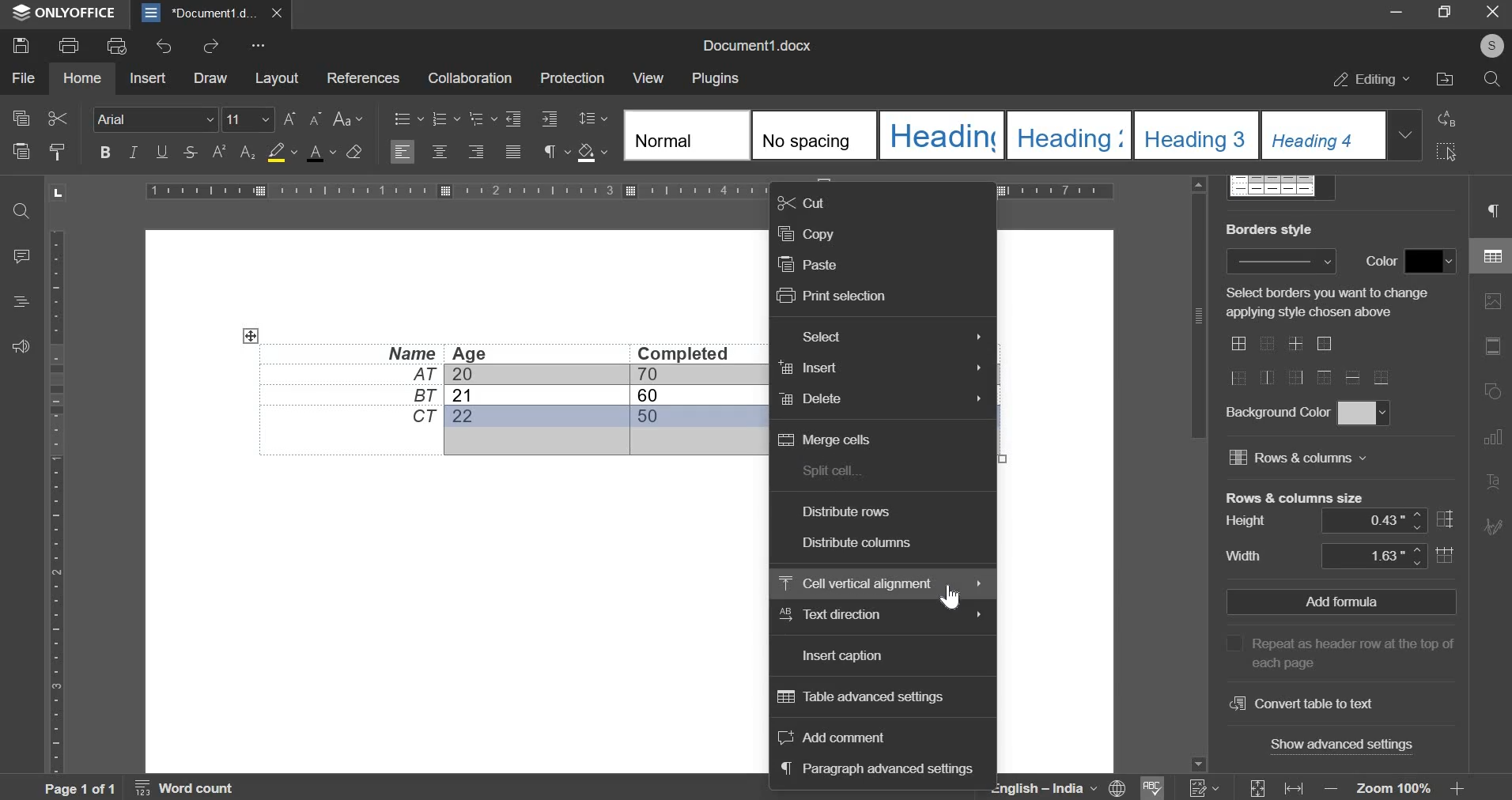 The width and height of the screenshot is (1512, 800). Describe the element at coordinates (56, 491) in the screenshot. I see `horizontal scale` at that location.